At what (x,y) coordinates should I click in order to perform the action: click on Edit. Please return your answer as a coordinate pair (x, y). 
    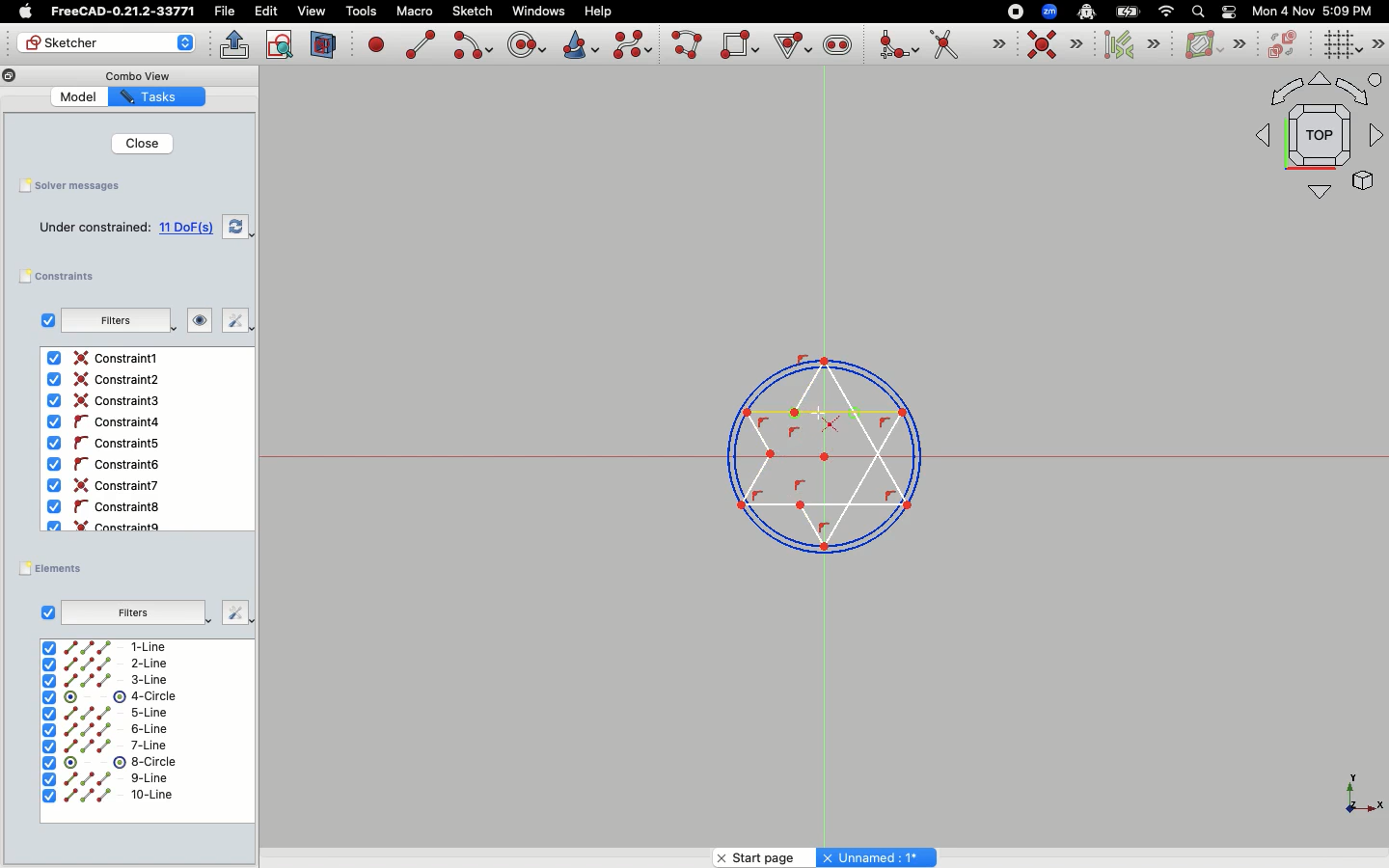
    Looking at the image, I should click on (266, 12).